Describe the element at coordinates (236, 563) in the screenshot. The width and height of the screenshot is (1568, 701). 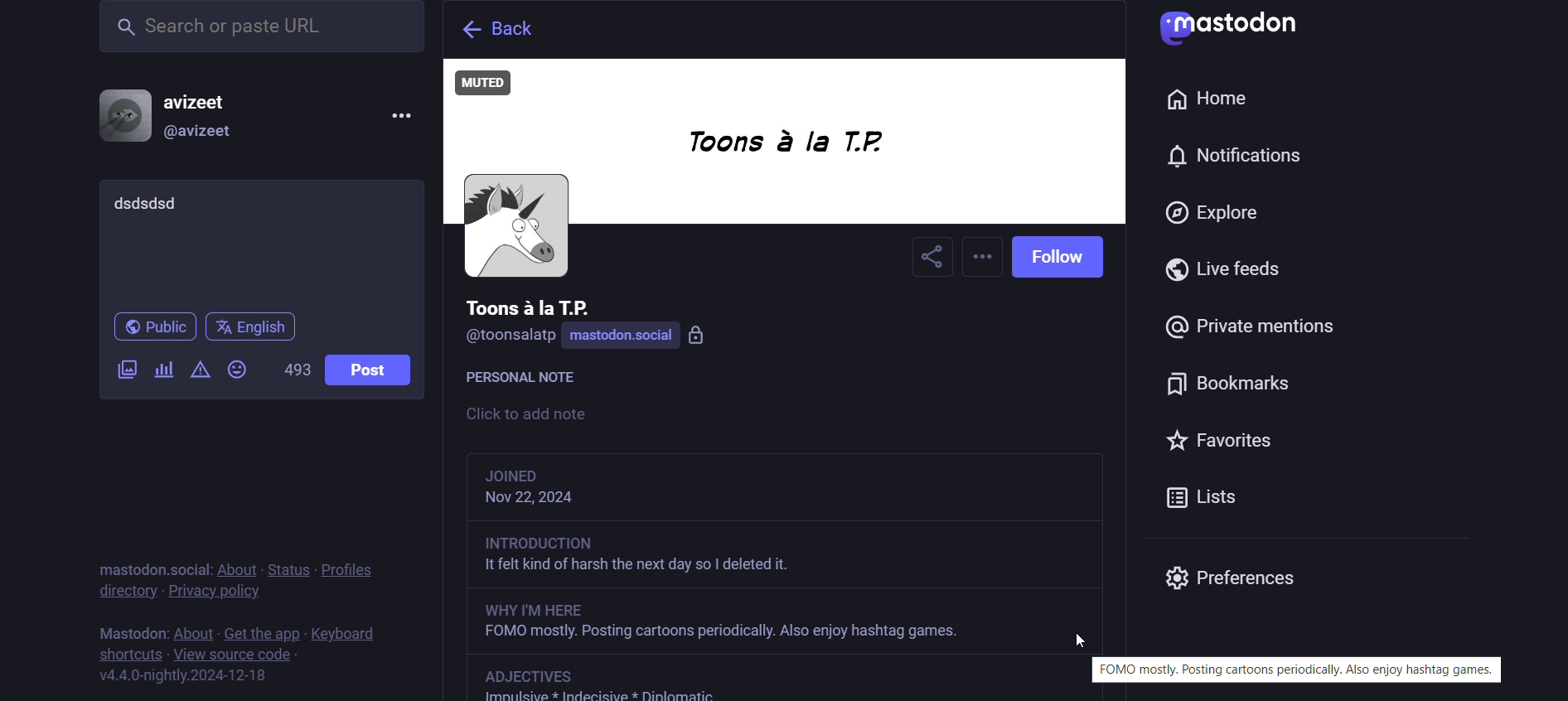
I see `about` at that location.